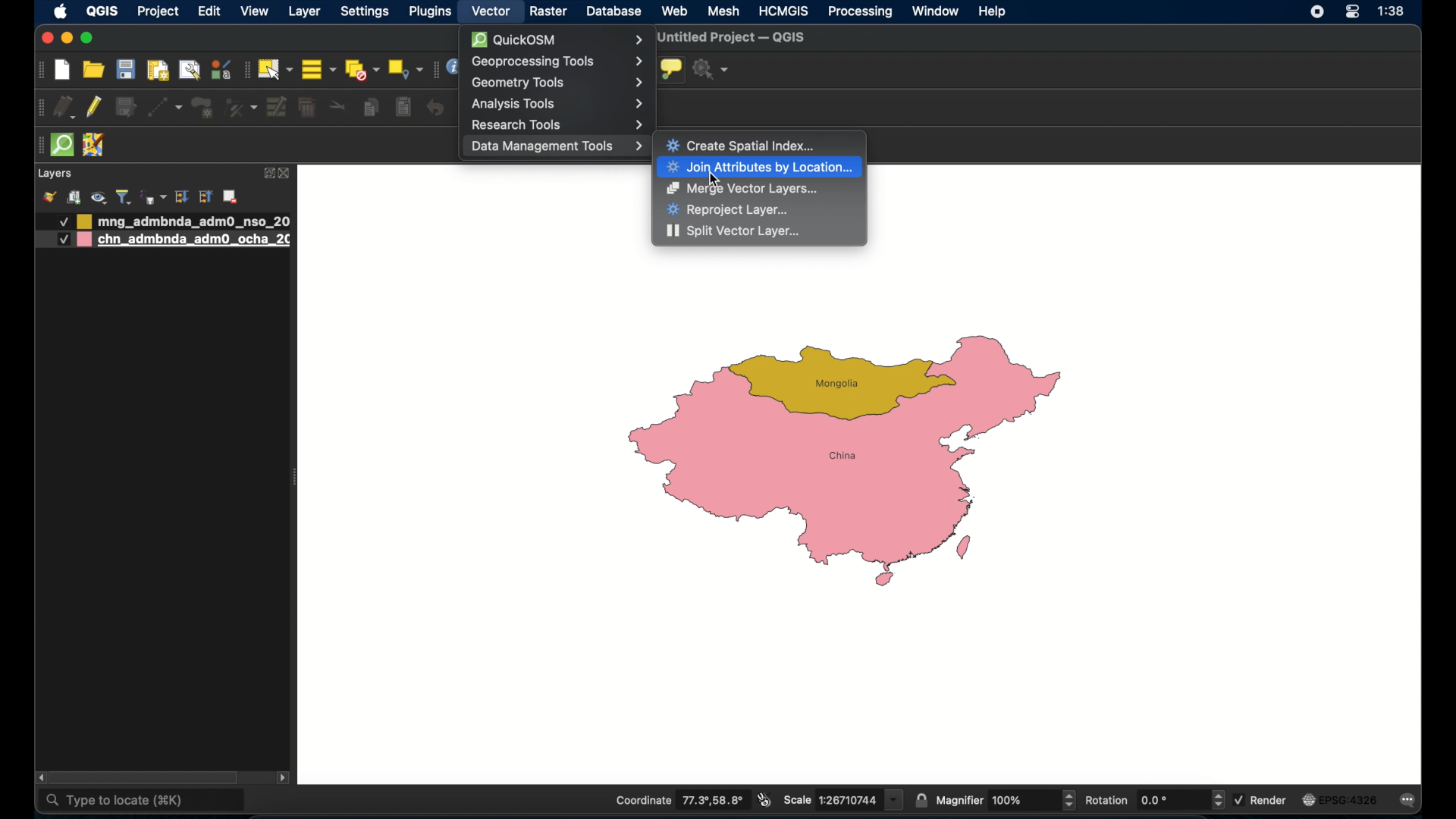  What do you see at coordinates (186, 240) in the screenshot?
I see `layer 2` at bounding box center [186, 240].